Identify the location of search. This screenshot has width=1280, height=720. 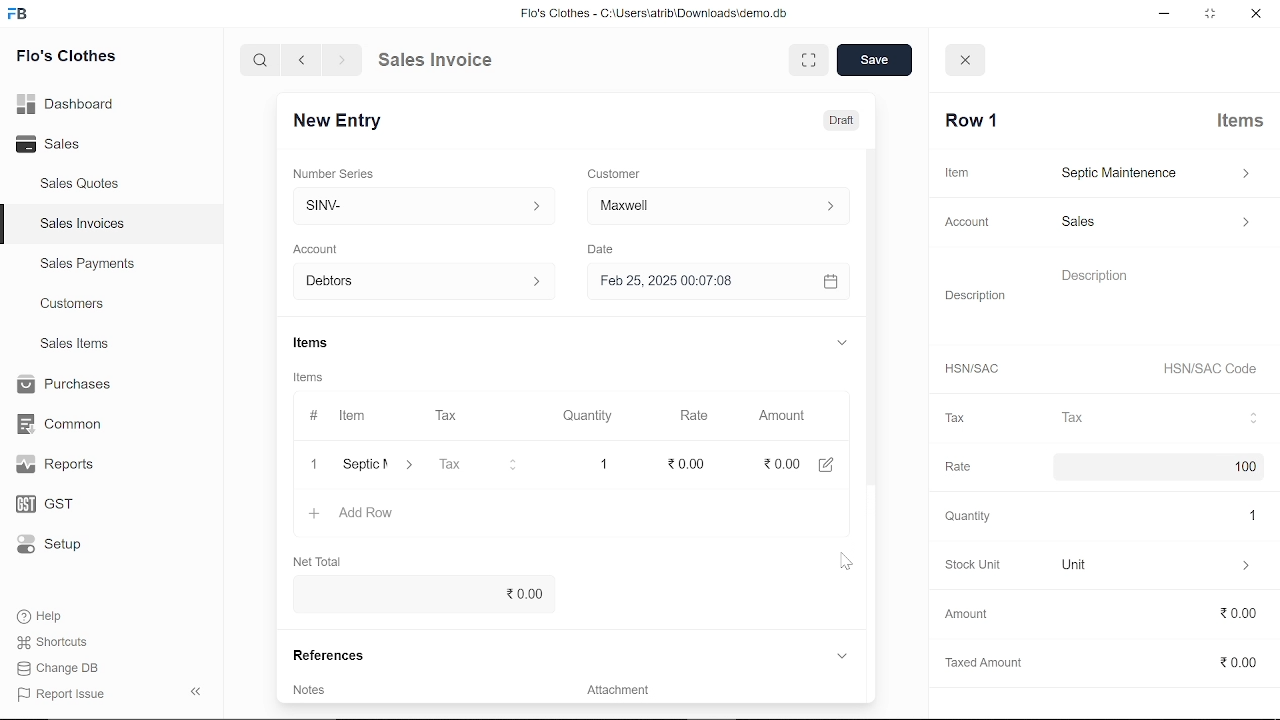
(263, 61).